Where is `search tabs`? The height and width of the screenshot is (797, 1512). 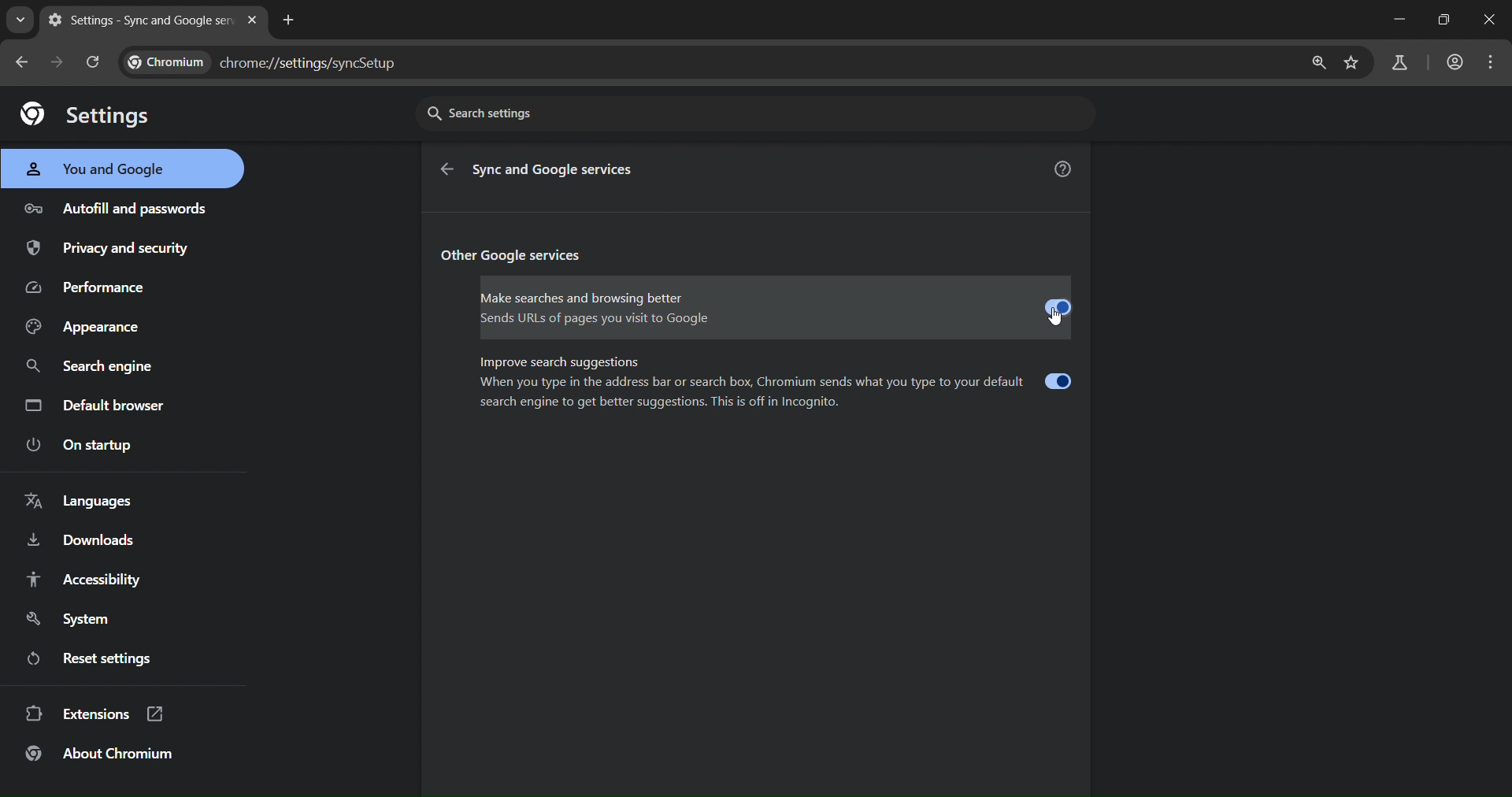 search tabs is located at coordinates (20, 20).